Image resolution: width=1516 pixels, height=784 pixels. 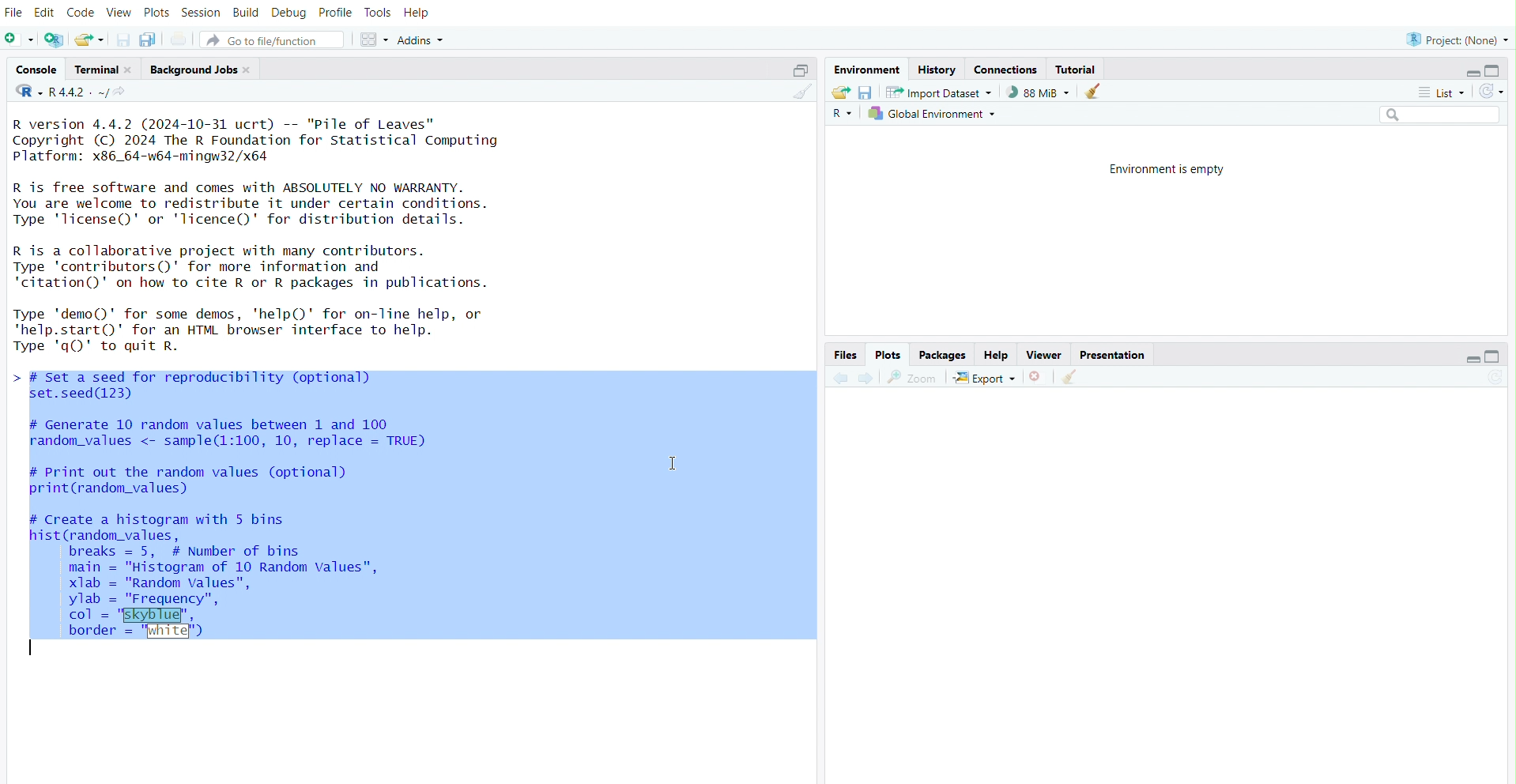 What do you see at coordinates (1162, 169) in the screenshot?
I see `environment is empty` at bounding box center [1162, 169].